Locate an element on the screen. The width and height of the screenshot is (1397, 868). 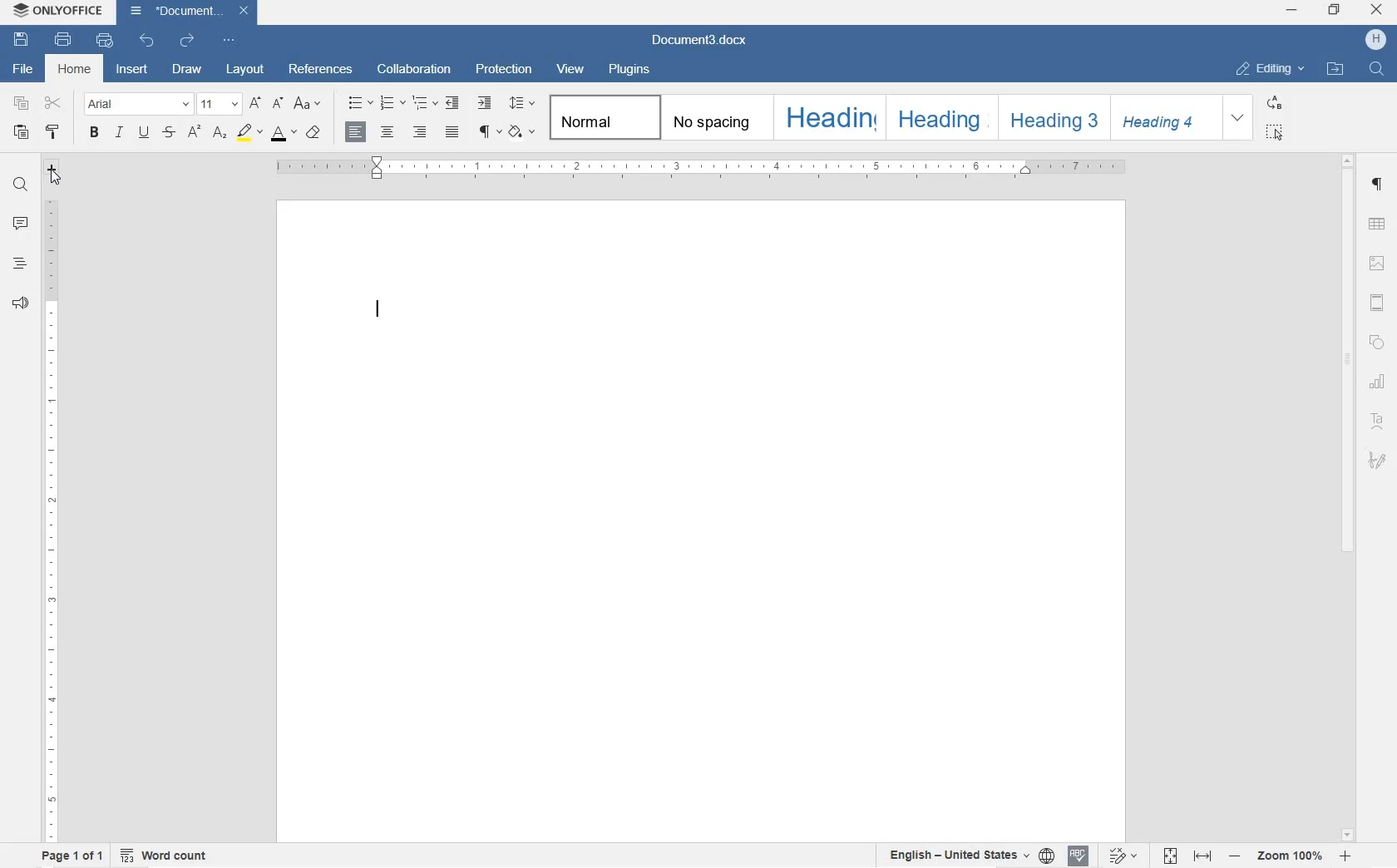
SUBSCRIPT is located at coordinates (220, 133).